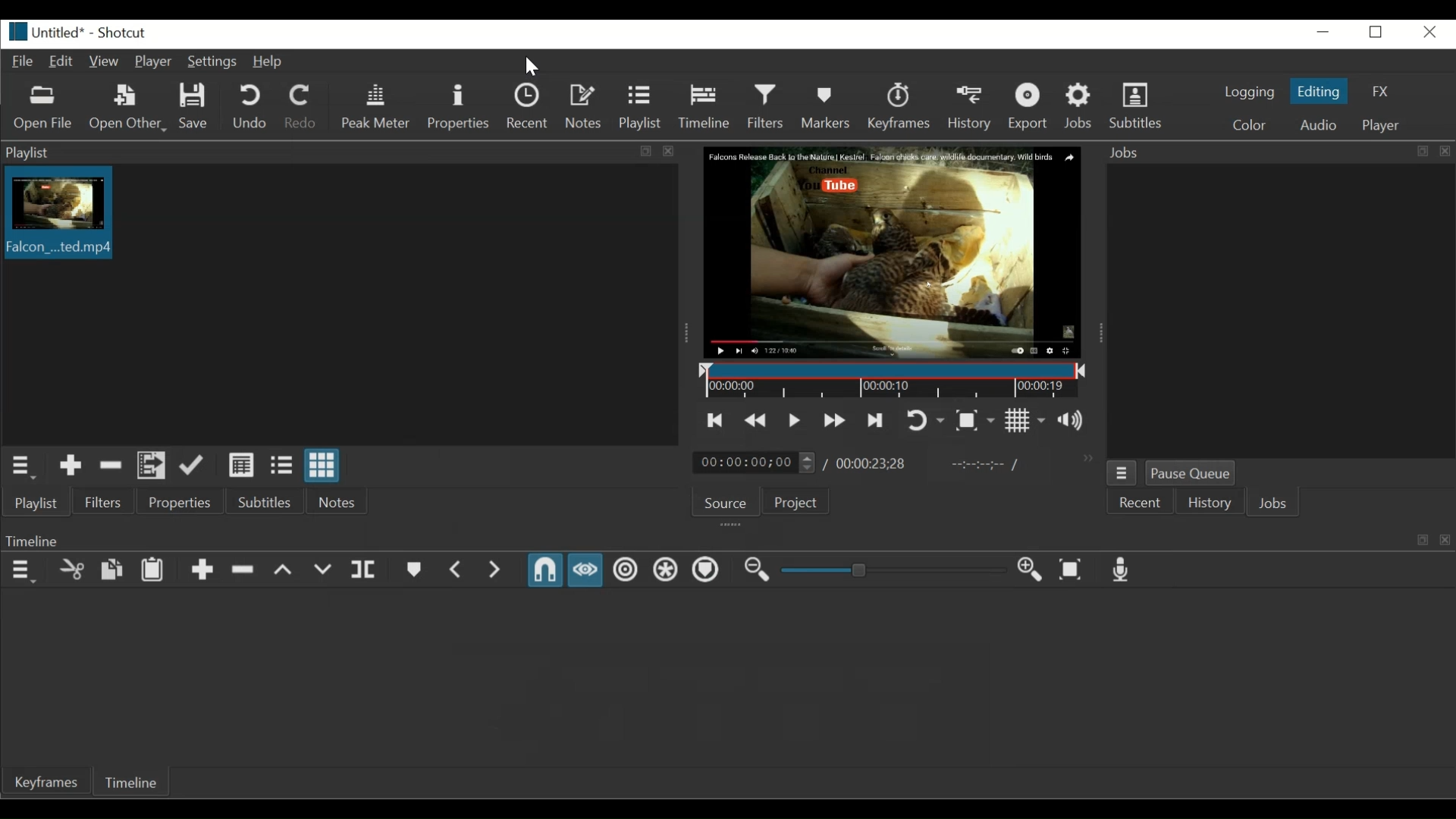 This screenshot has height=819, width=1456. What do you see at coordinates (1253, 93) in the screenshot?
I see `logging` at bounding box center [1253, 93].